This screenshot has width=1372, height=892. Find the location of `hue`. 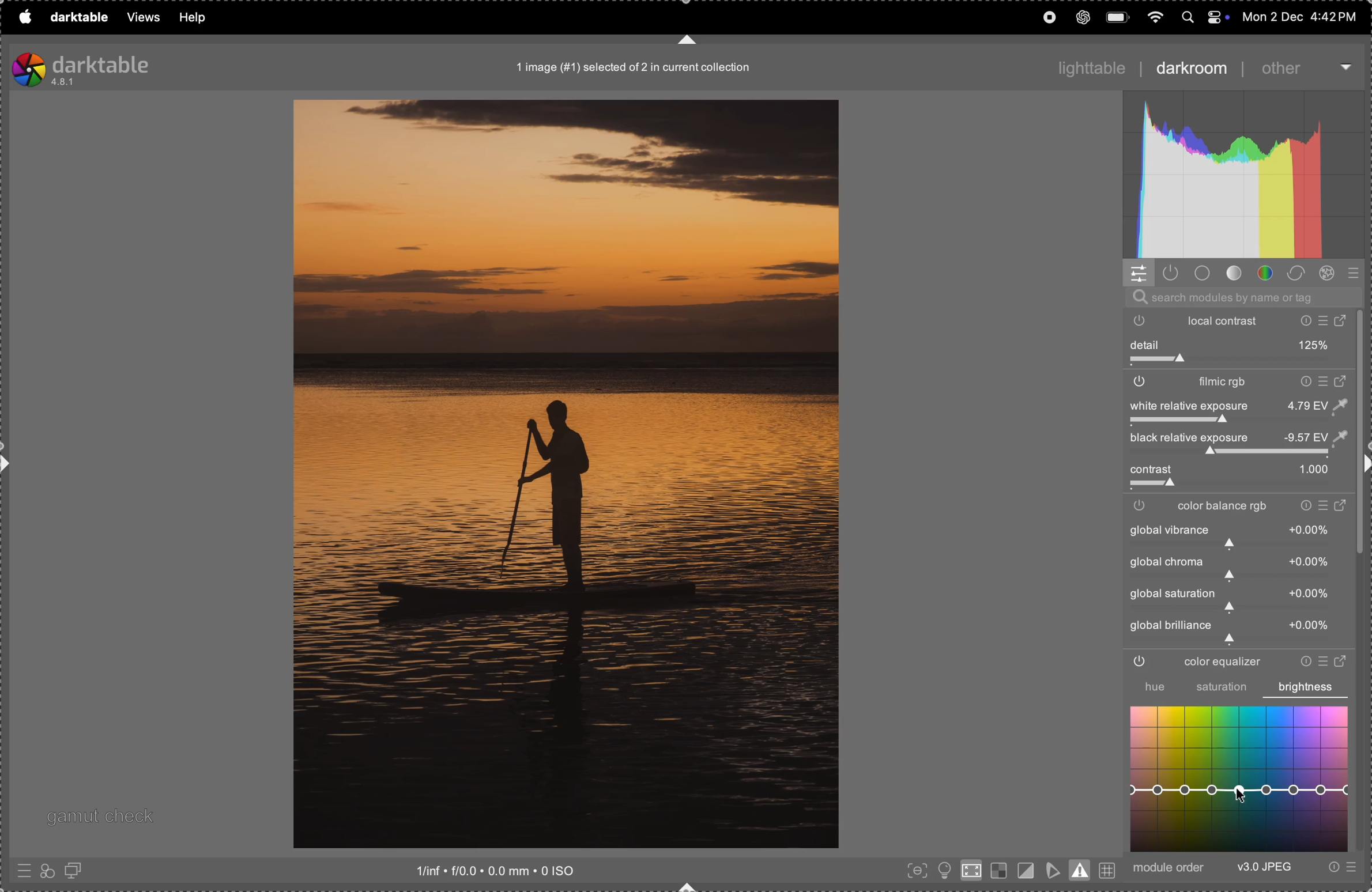

hue is located at coordinates (1148, 687).